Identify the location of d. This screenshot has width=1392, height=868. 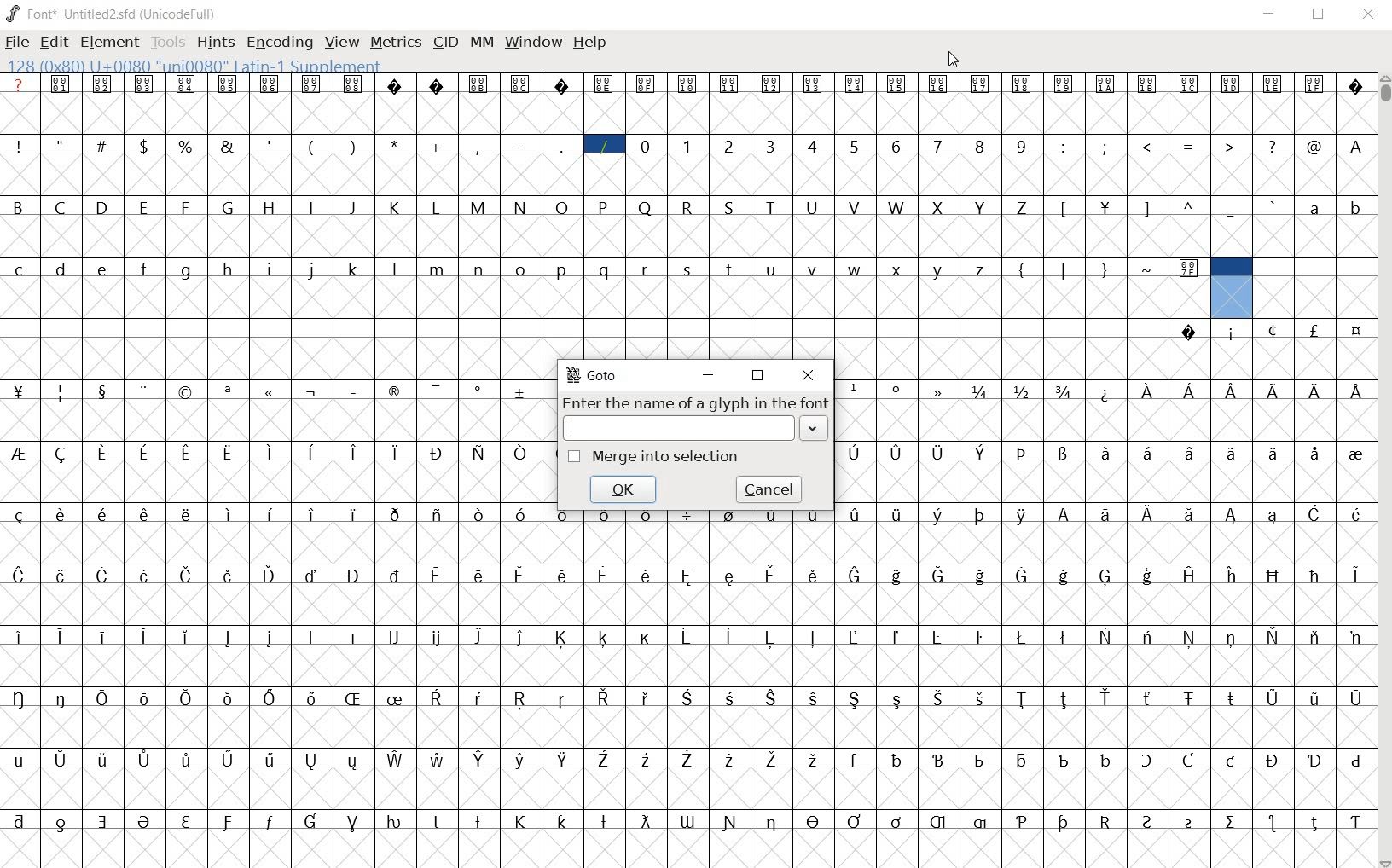
(61, 268).